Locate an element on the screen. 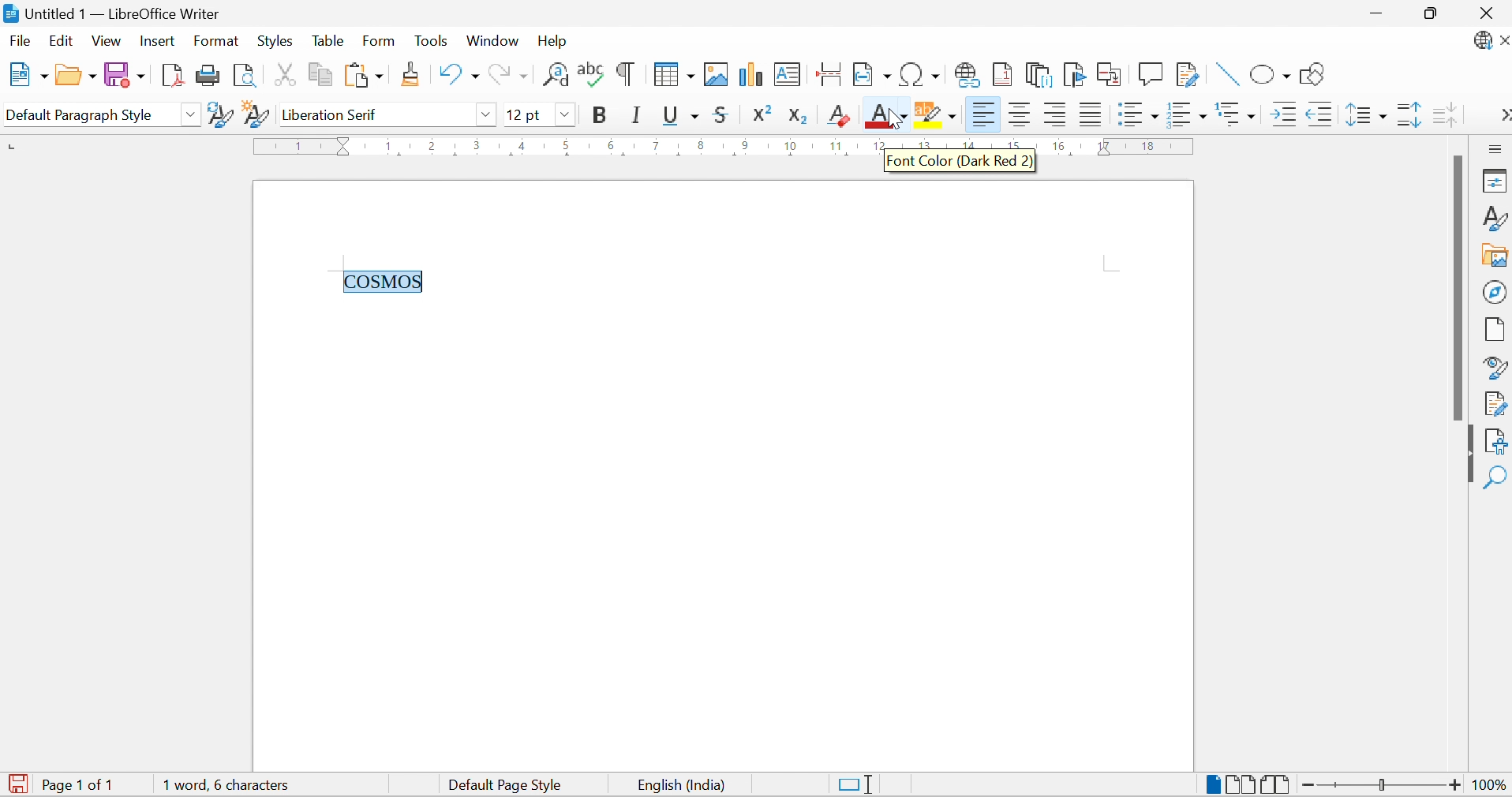 The width and height of the screenshot is (1512, 797). Minimize is located at coordinates (1371, 13).